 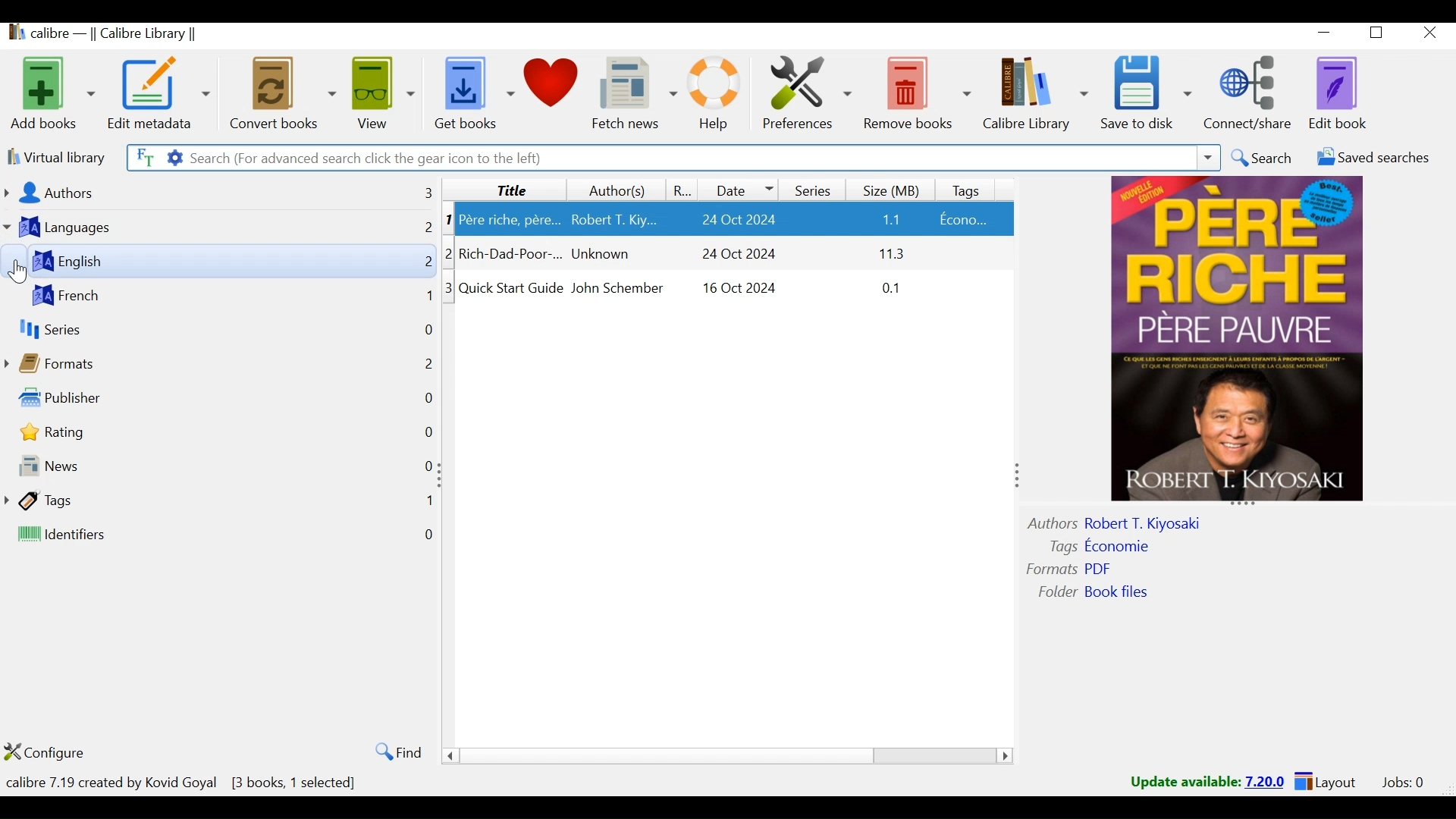 I want to click on Calibre logo, so click(x=13, y=35).